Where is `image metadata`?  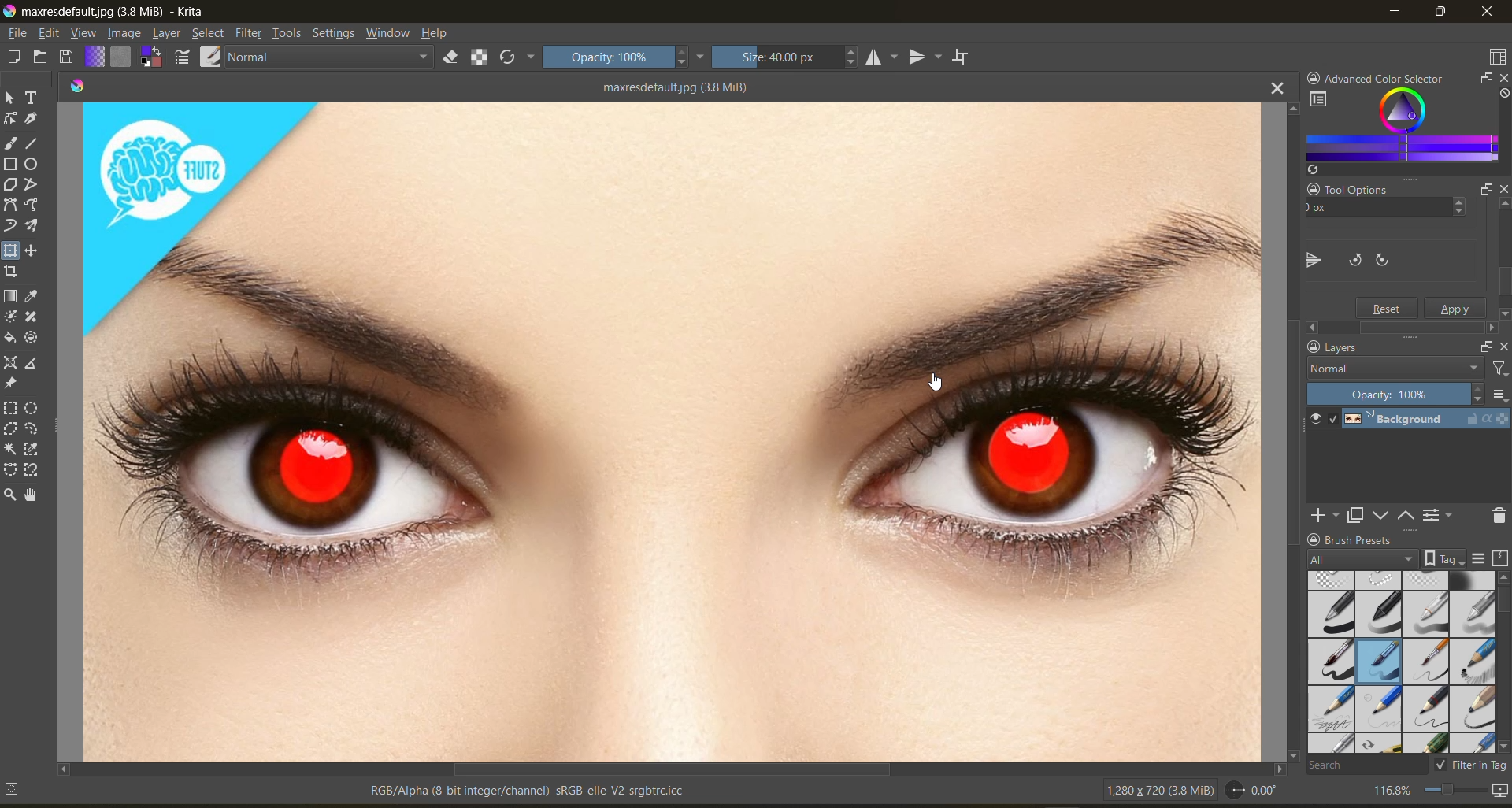
image metadata is located at coordinates (1157, 793).